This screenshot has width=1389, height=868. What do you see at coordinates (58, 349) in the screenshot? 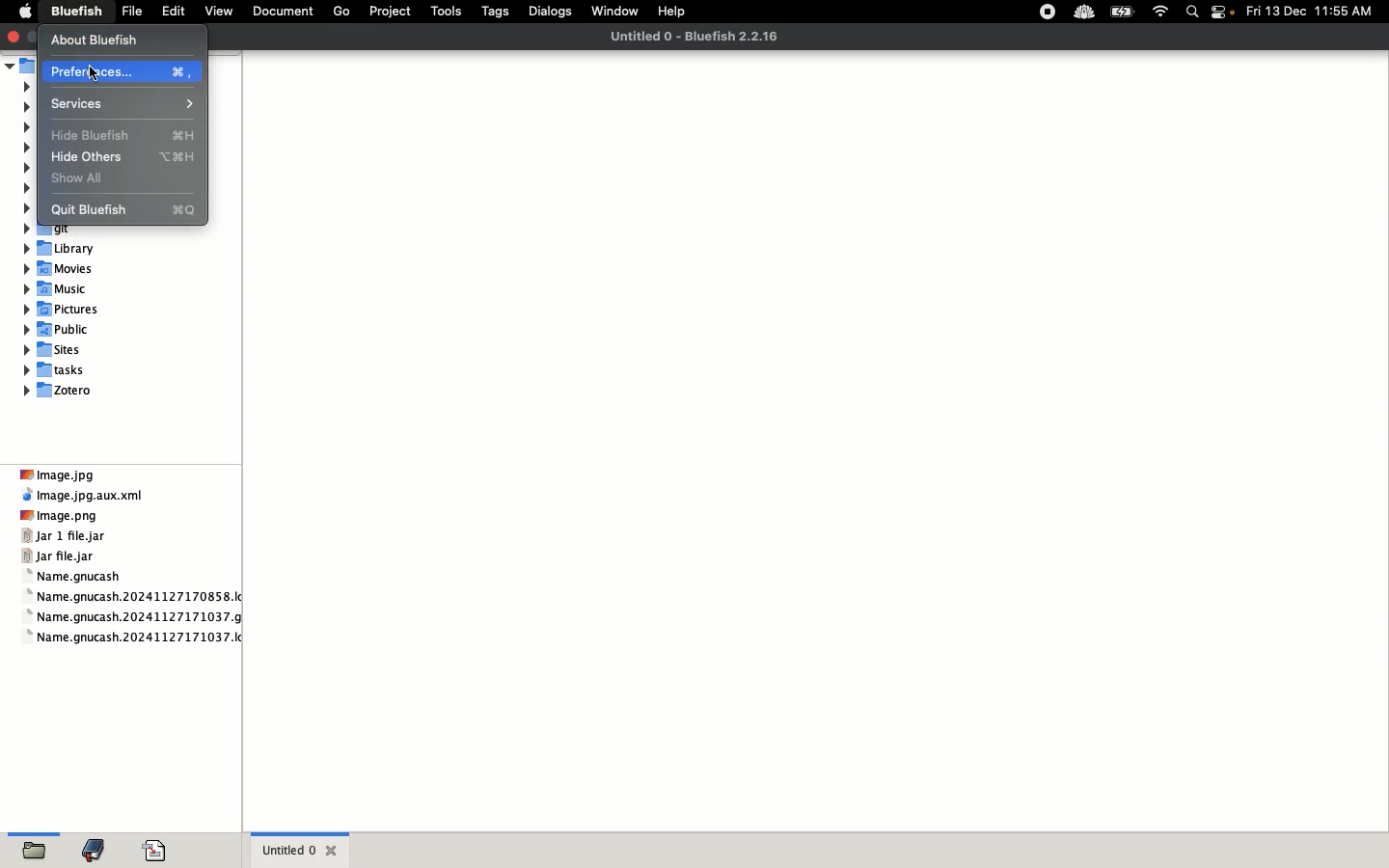
I see `sites` at bounding box center [58, 349].